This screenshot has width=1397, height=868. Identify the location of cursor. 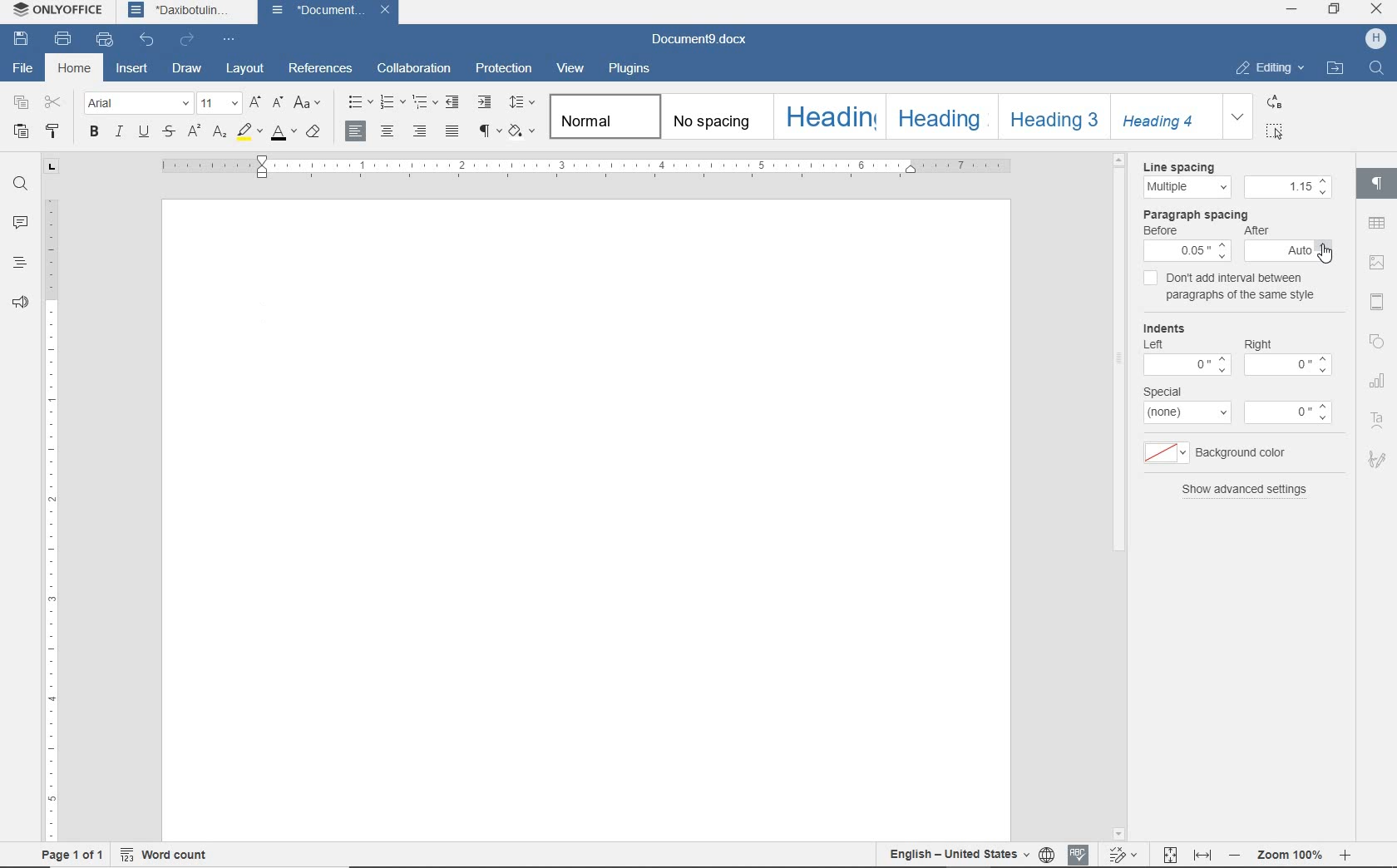
(1325, 254).